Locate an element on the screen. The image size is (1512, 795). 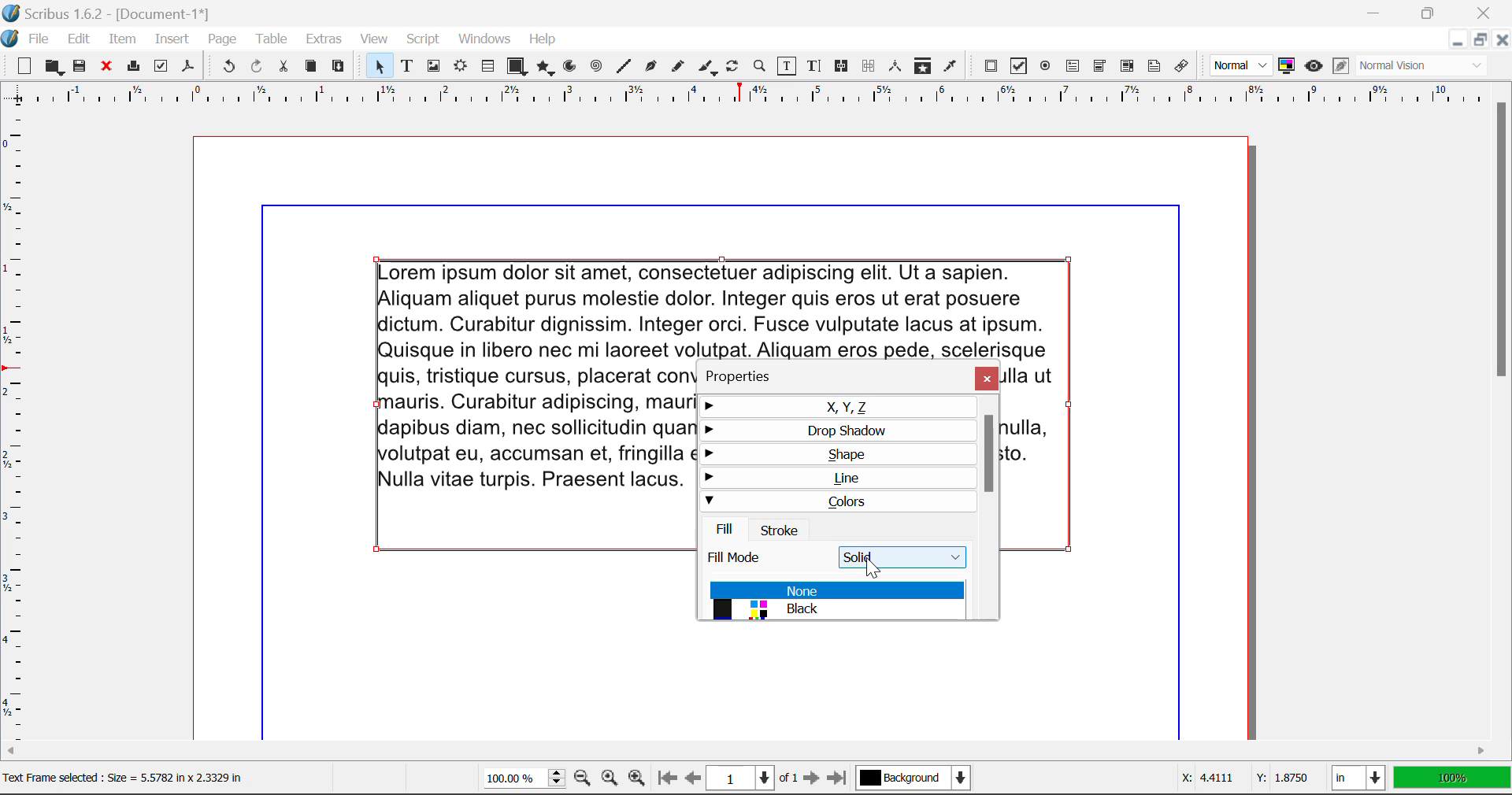
Colors is located at coordinates (836, 501).